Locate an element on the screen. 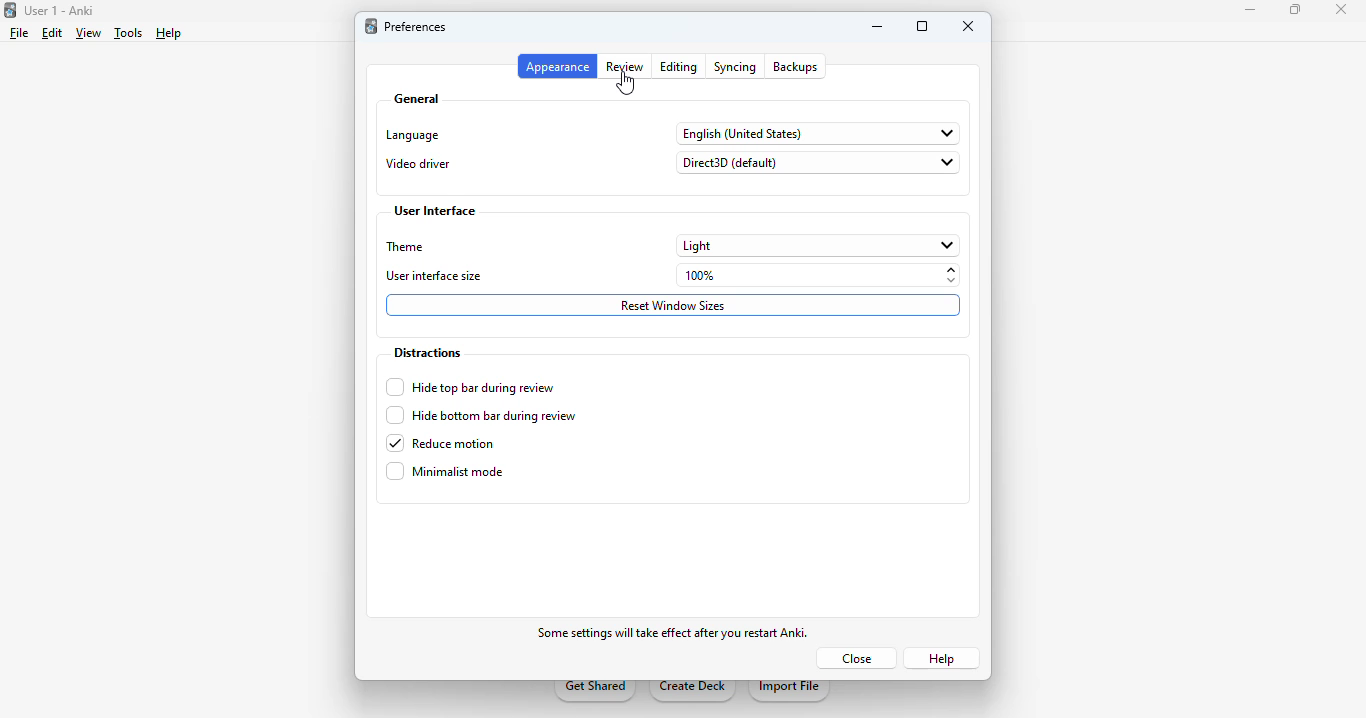  hide top bar during review is located at coordinates (471, 387).